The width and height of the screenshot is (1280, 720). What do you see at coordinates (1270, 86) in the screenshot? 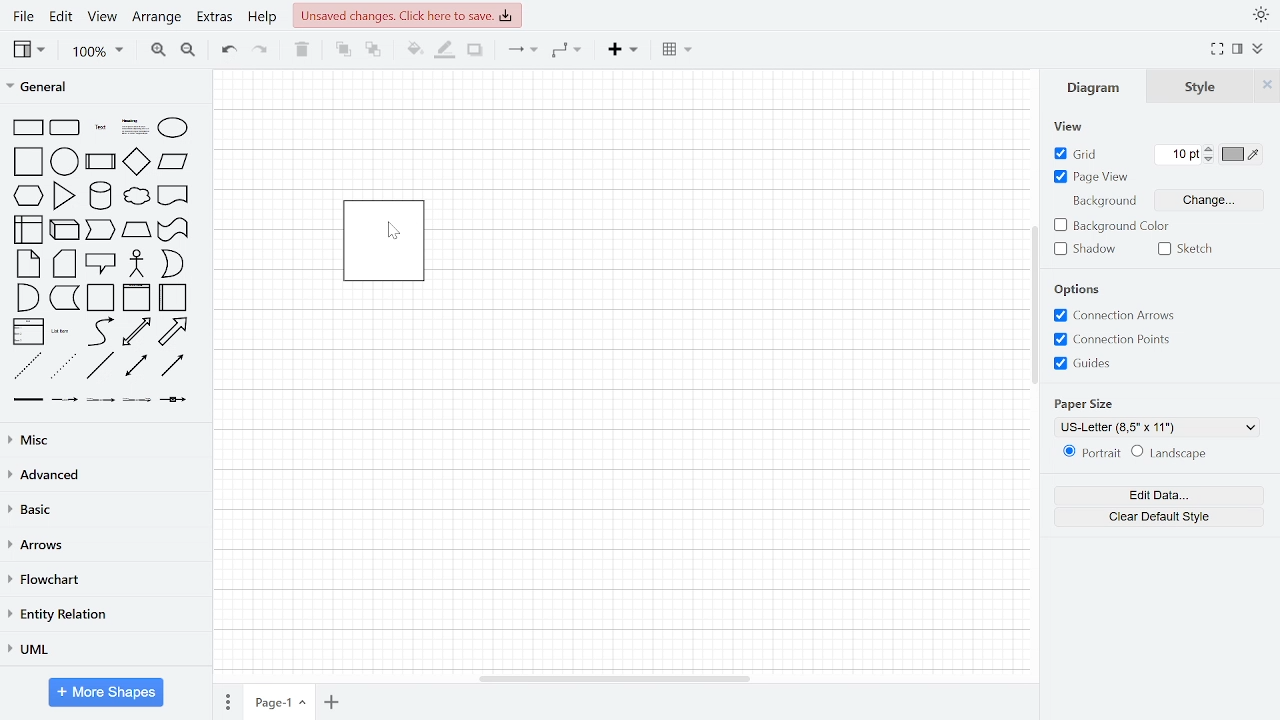
I see `close` at bounding box center [1270, 86].